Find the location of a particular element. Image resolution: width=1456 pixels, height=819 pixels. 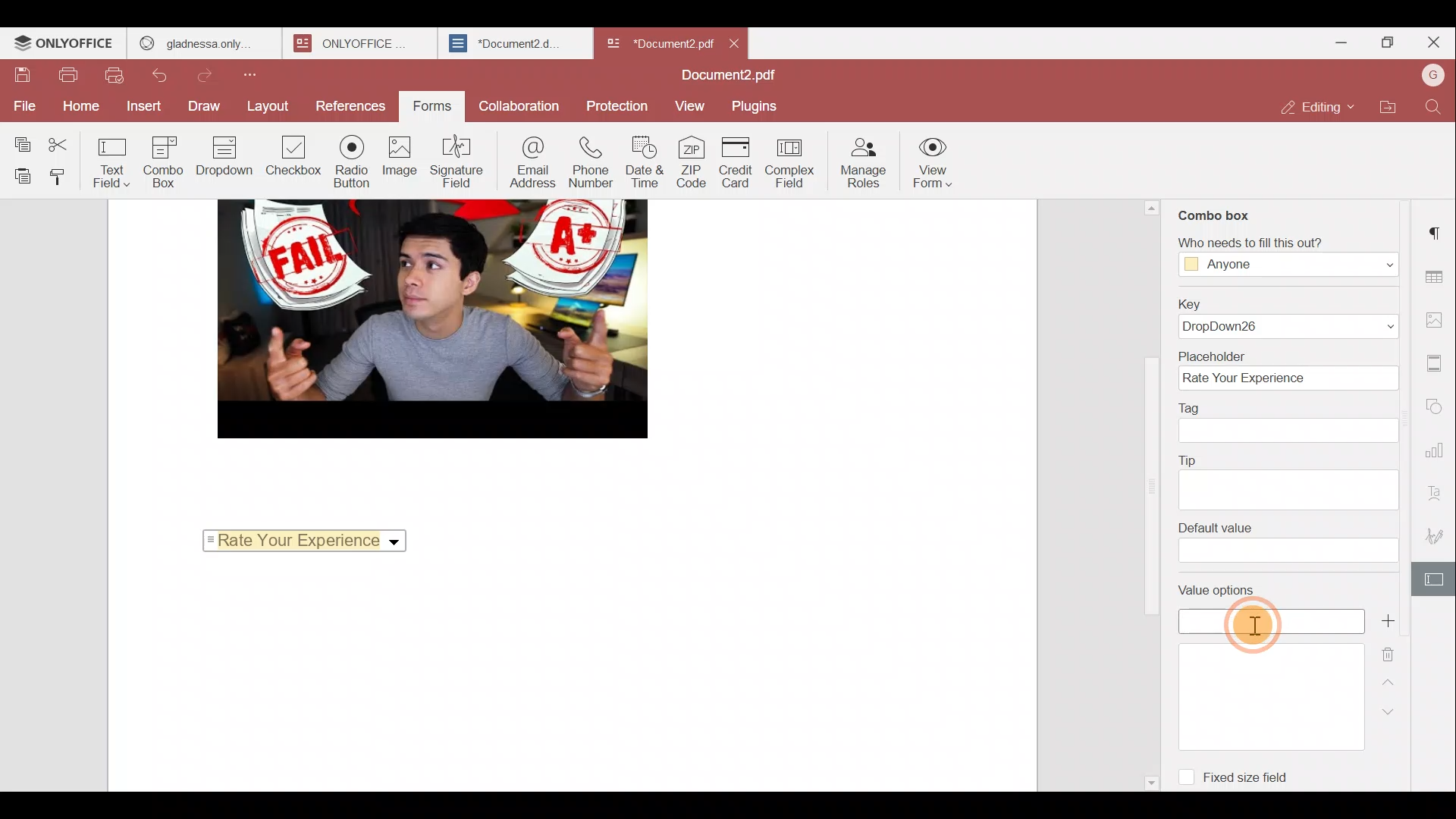

Form settings is located at coordinates (1435, 579).